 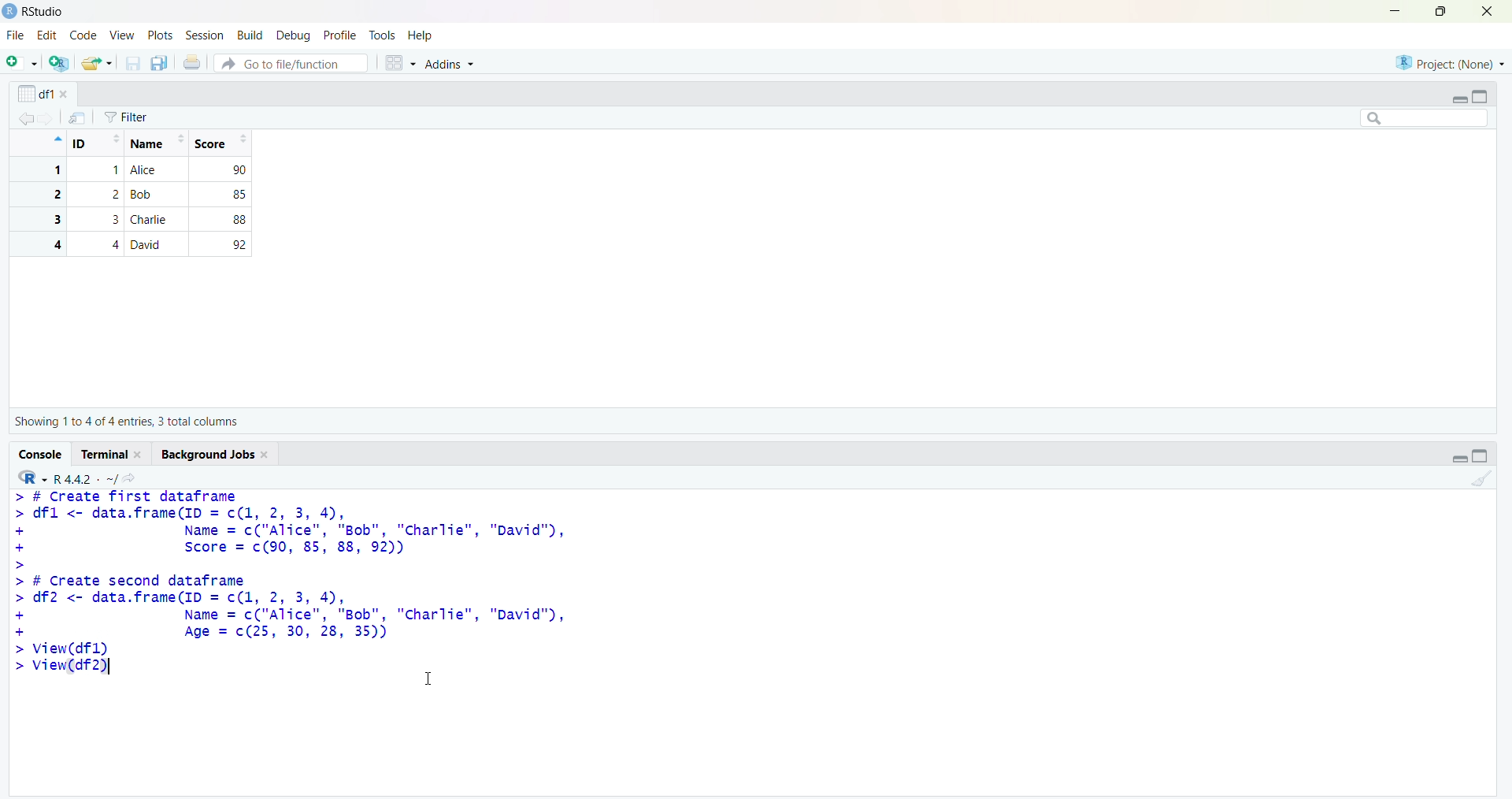 What do you see at coordinates (252, 36) in the screenshot?
I see `build` at bounding box center [252, 36].